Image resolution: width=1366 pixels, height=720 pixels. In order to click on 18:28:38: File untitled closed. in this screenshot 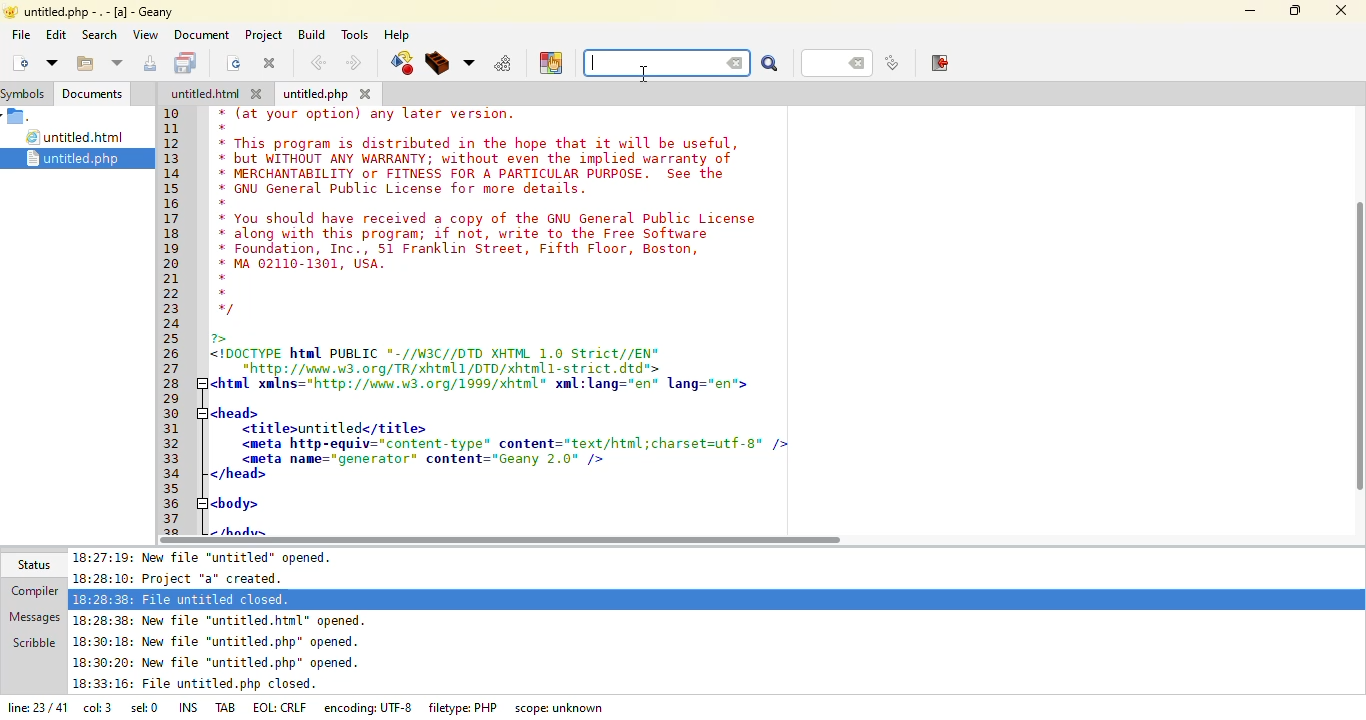, I will do `click(183, 598)`.